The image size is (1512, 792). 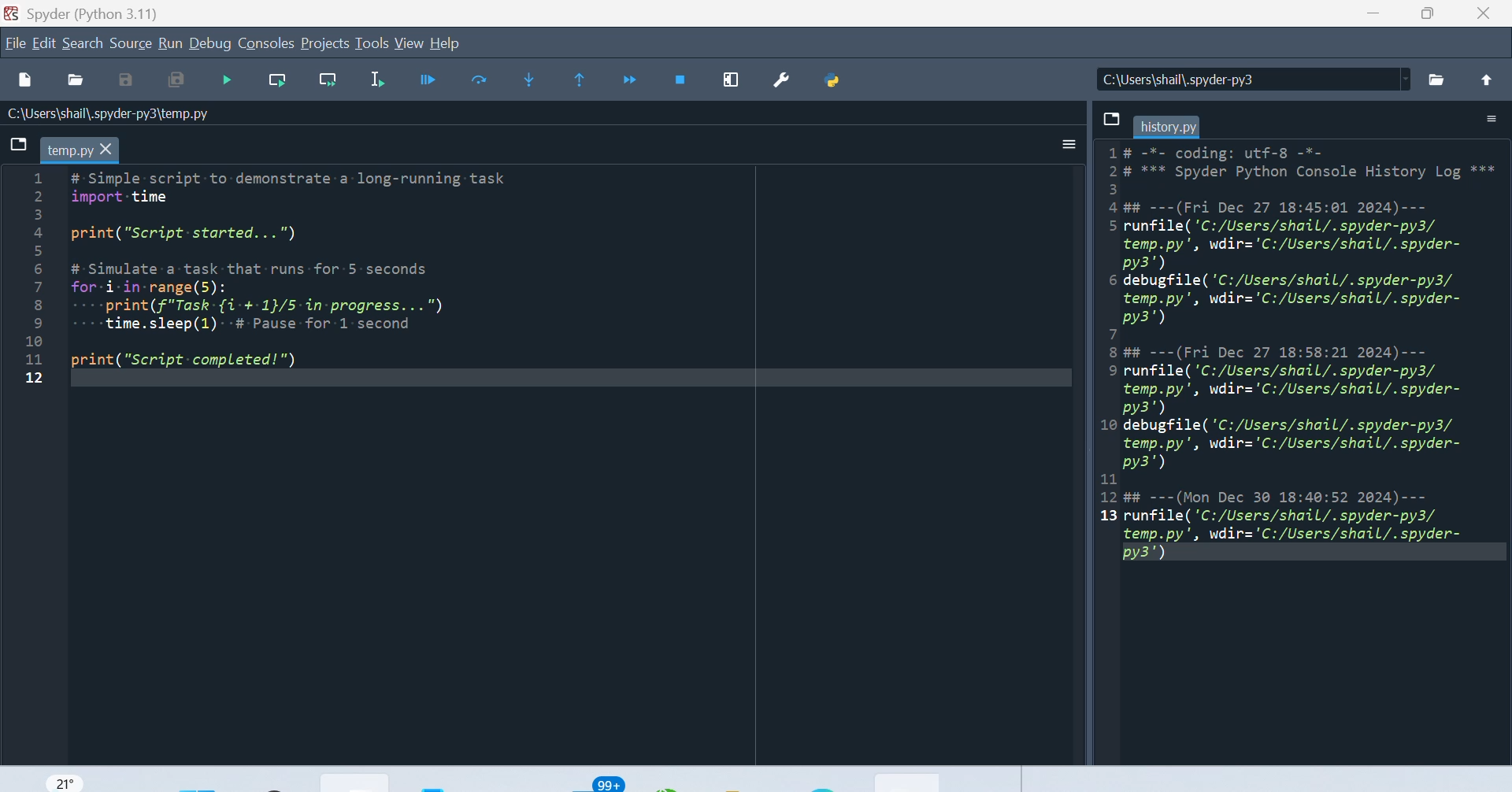 I want to click on upload, so click(x=1487, y=75).